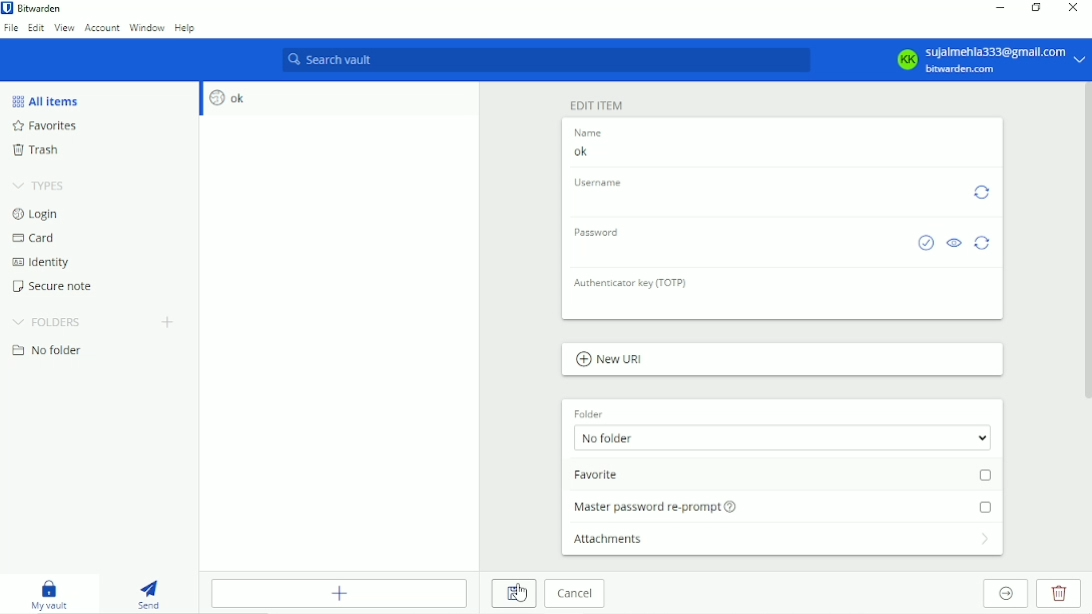  What do you see at coordinates (632, 282) in the screenshot?
I see `Authenticator key (TOTP)` at bounding box center [632, 282].